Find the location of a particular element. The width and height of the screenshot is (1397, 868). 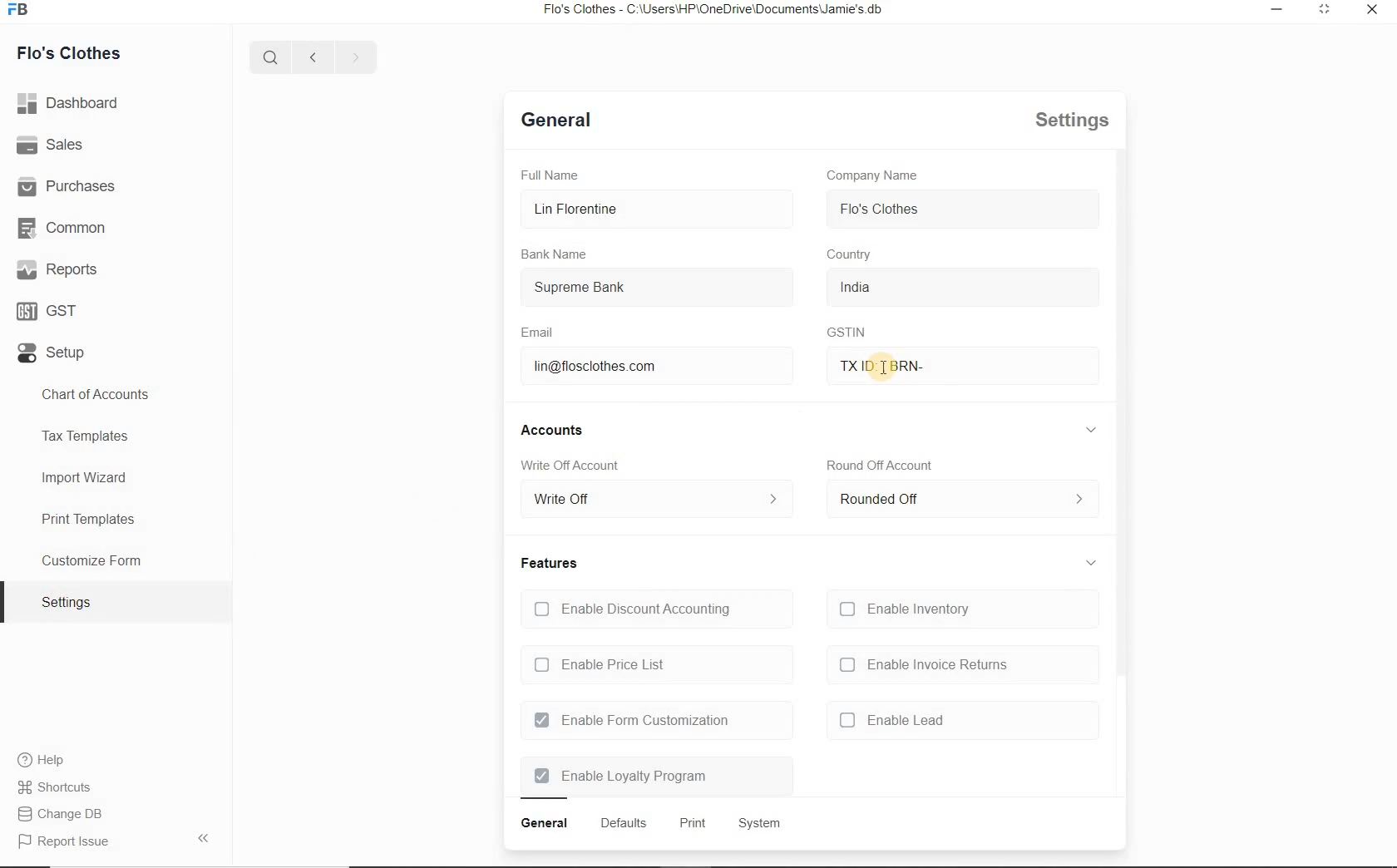

Sales is located at coordinates (53, 146).